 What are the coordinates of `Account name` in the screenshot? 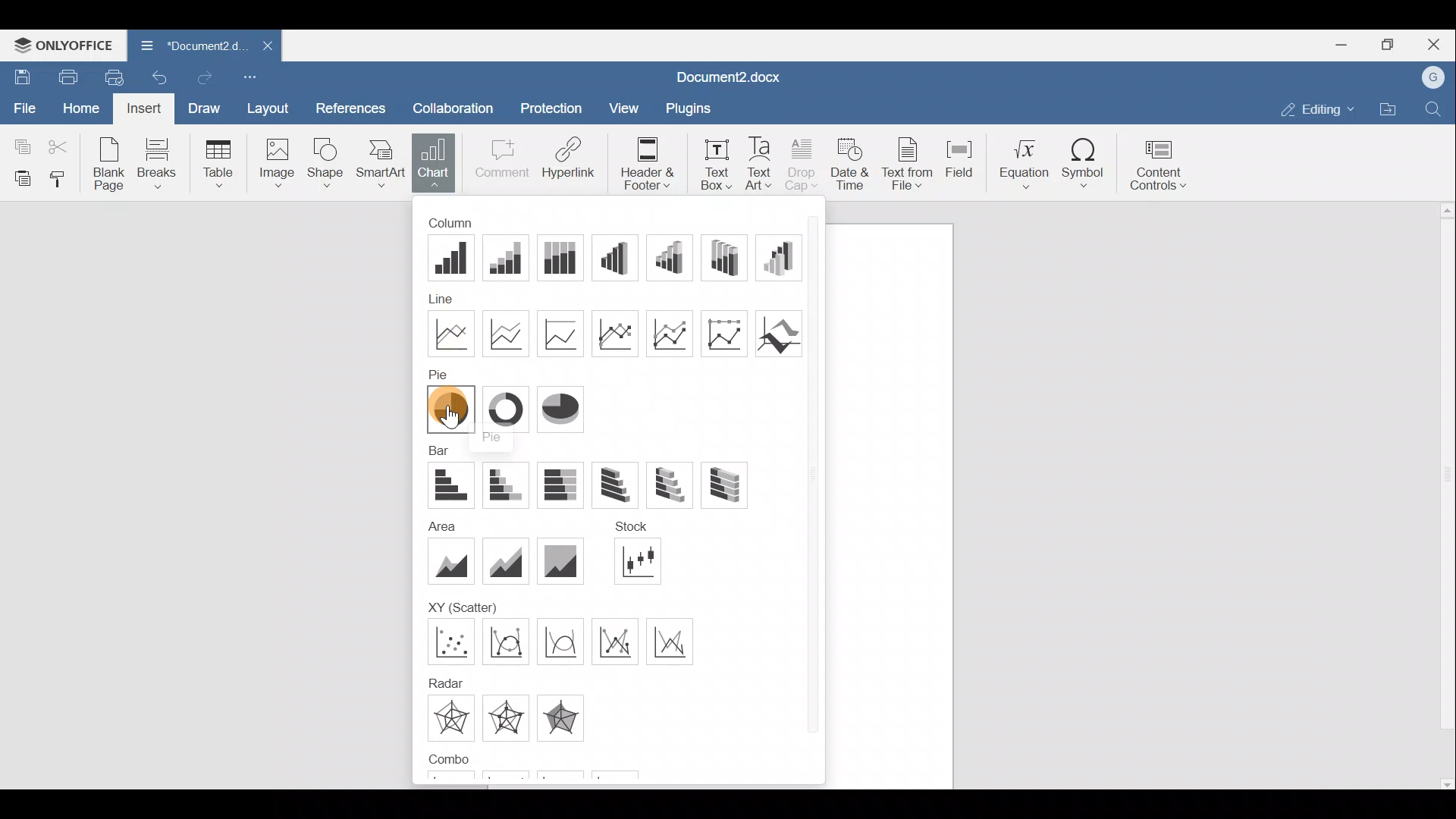 It's located at (1434, 78).